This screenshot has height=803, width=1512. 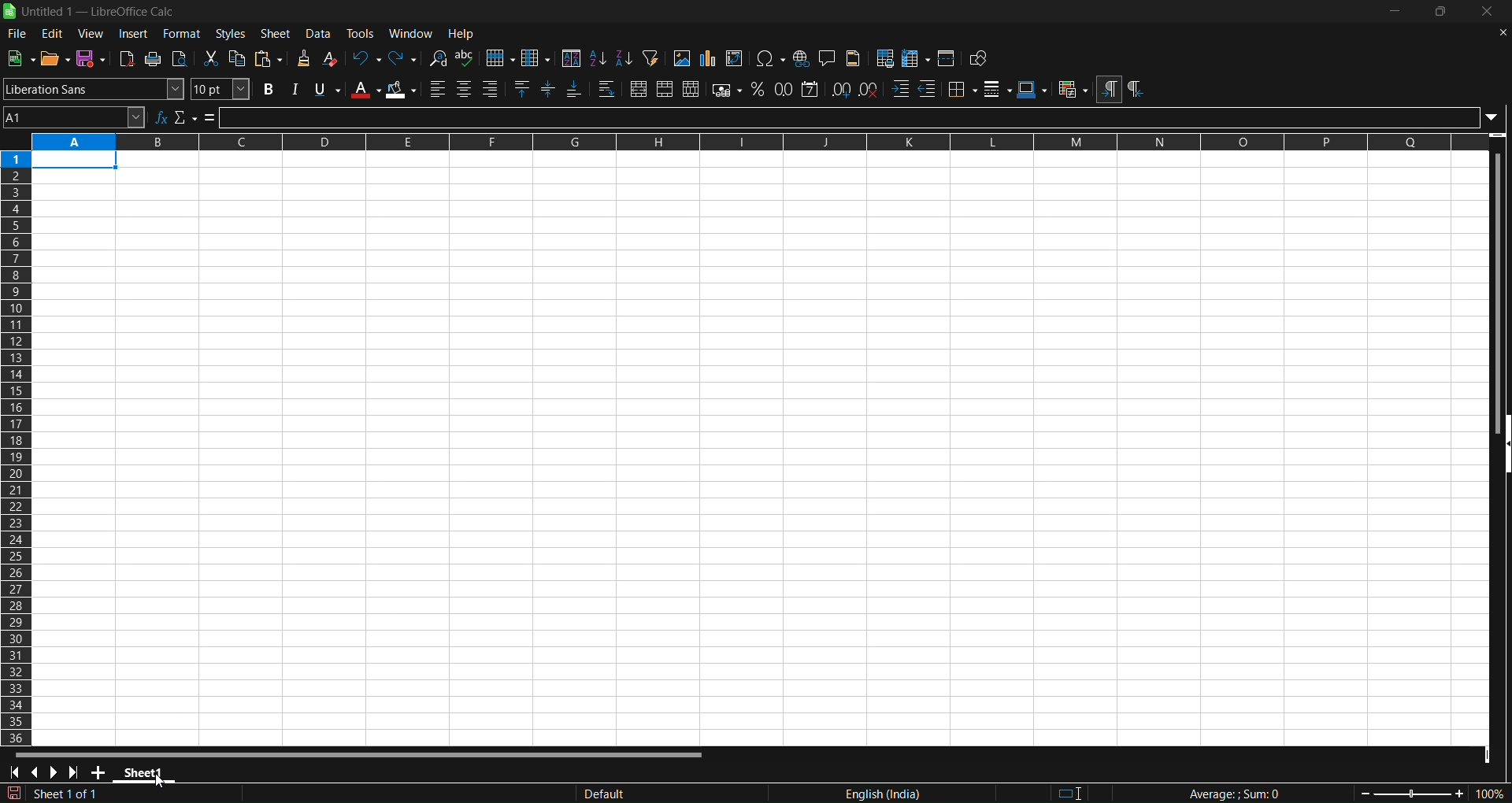 What do you see at coordinates (213, 58) in the screenshot?
I see `cut` at bounding box center [213, 58].